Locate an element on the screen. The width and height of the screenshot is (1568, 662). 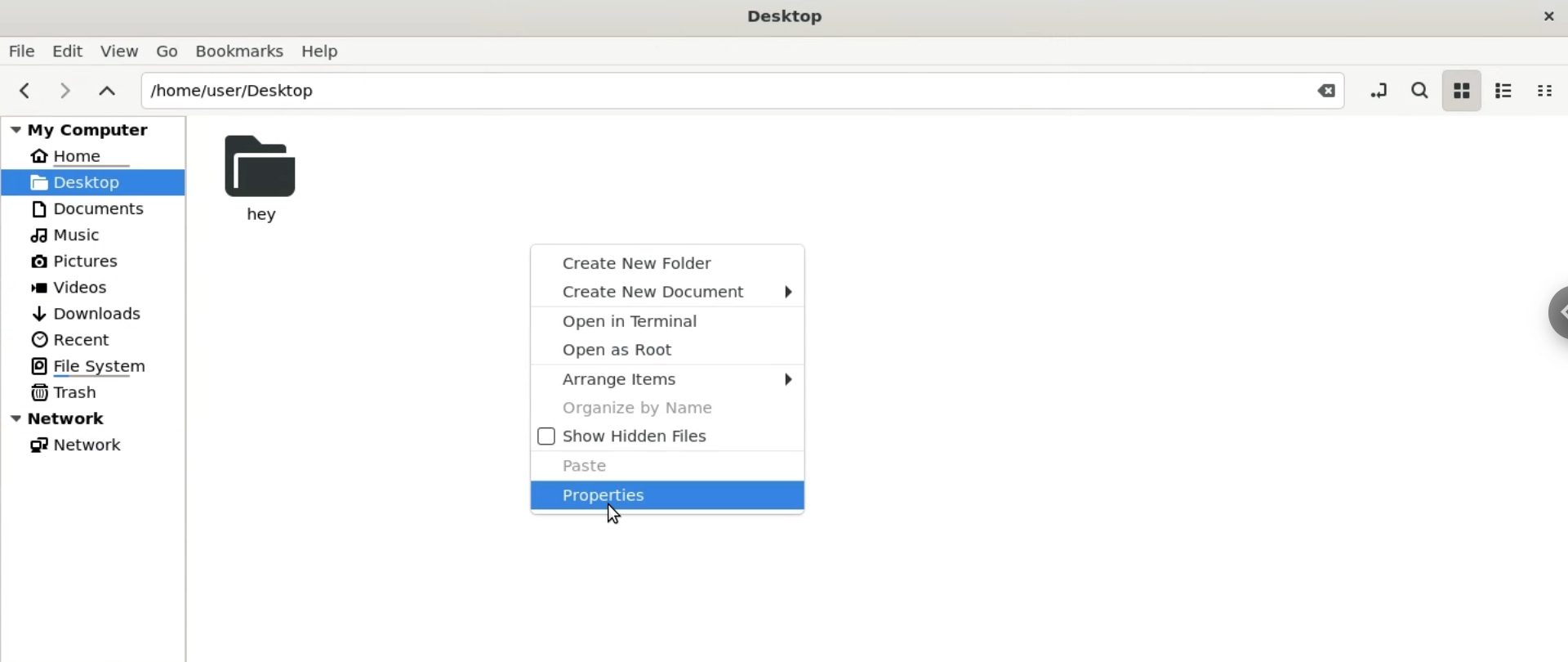
edit is located at coordinates (71, 50).